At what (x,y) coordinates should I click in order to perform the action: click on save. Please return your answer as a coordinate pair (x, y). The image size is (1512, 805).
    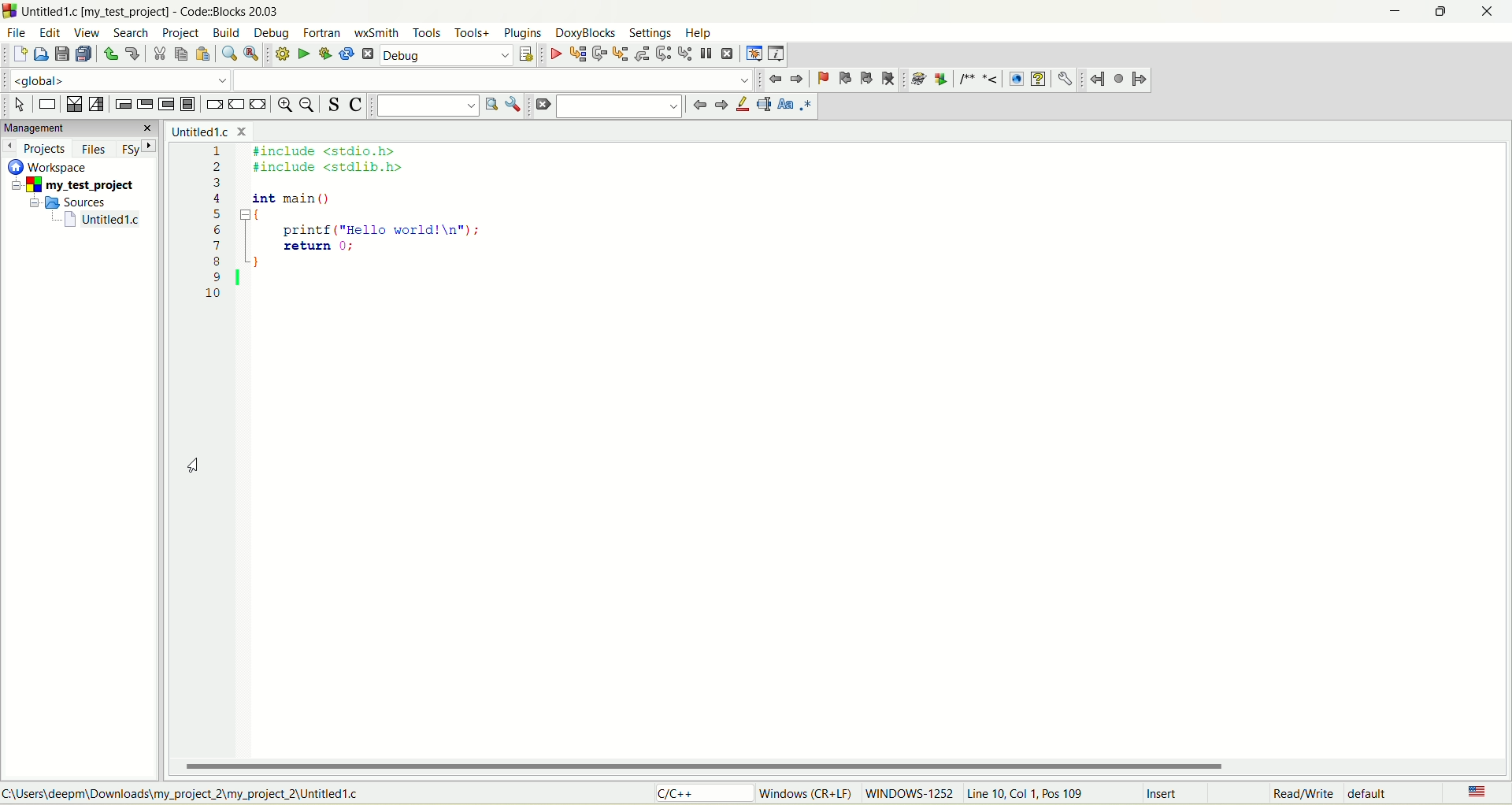
    Looking at the image, I should click on (63, 55).